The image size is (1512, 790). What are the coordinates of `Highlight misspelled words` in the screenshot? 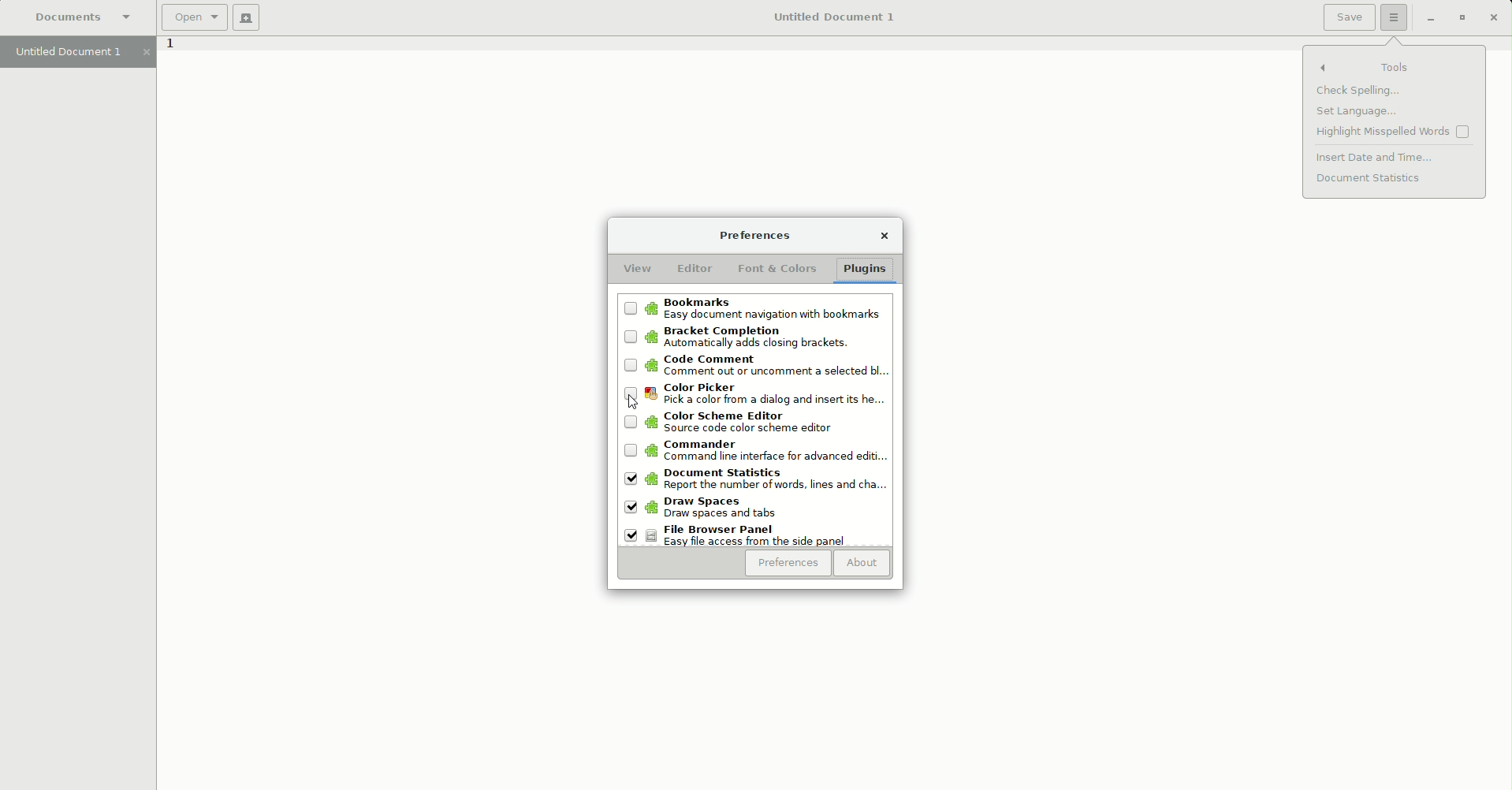 It's located at (1395, 133).